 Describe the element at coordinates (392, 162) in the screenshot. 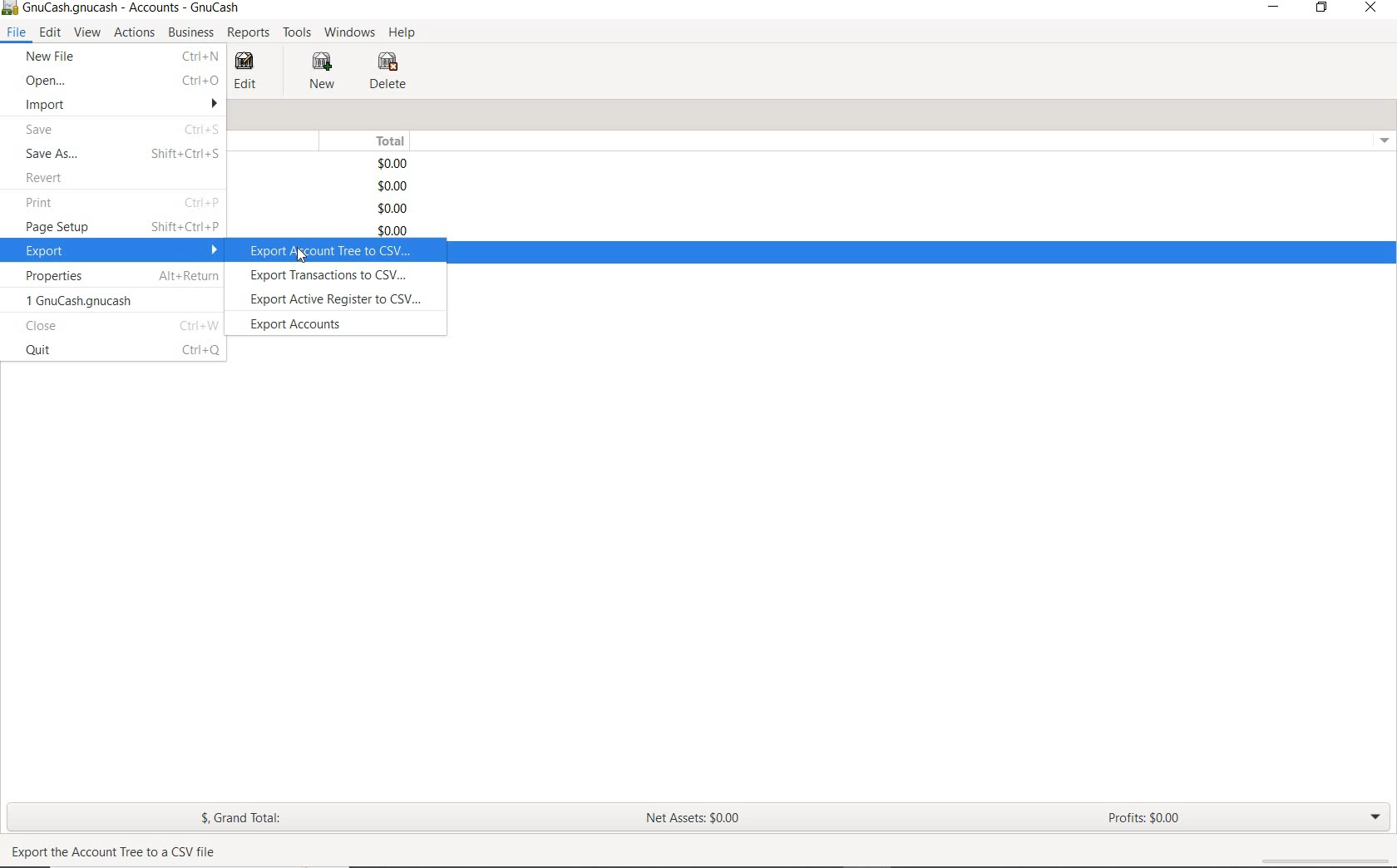

I see `$0.00` at that location.